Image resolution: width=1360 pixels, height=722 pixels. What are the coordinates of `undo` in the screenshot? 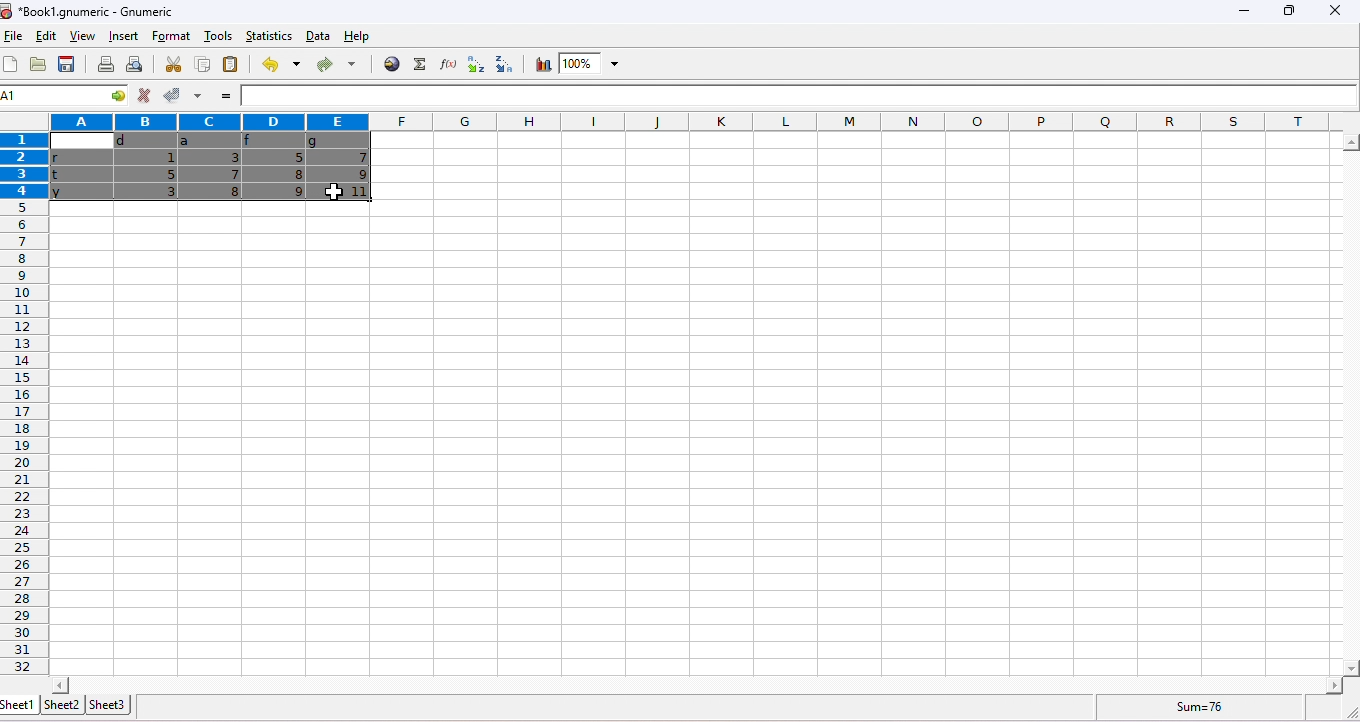 It's located at (278, 65).